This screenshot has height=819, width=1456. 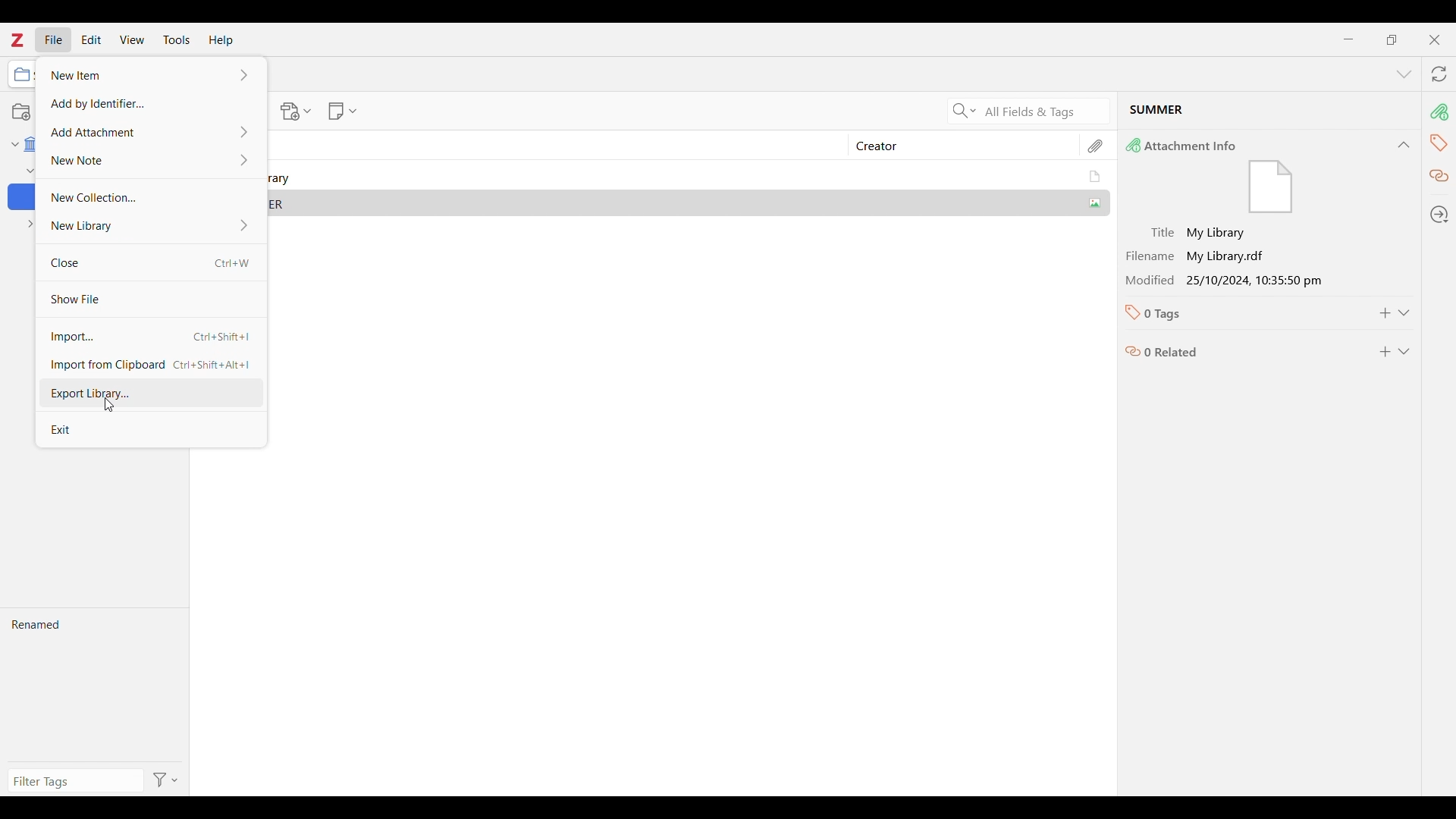 I want to click on List all tabs, so click(x=1404, y=74).